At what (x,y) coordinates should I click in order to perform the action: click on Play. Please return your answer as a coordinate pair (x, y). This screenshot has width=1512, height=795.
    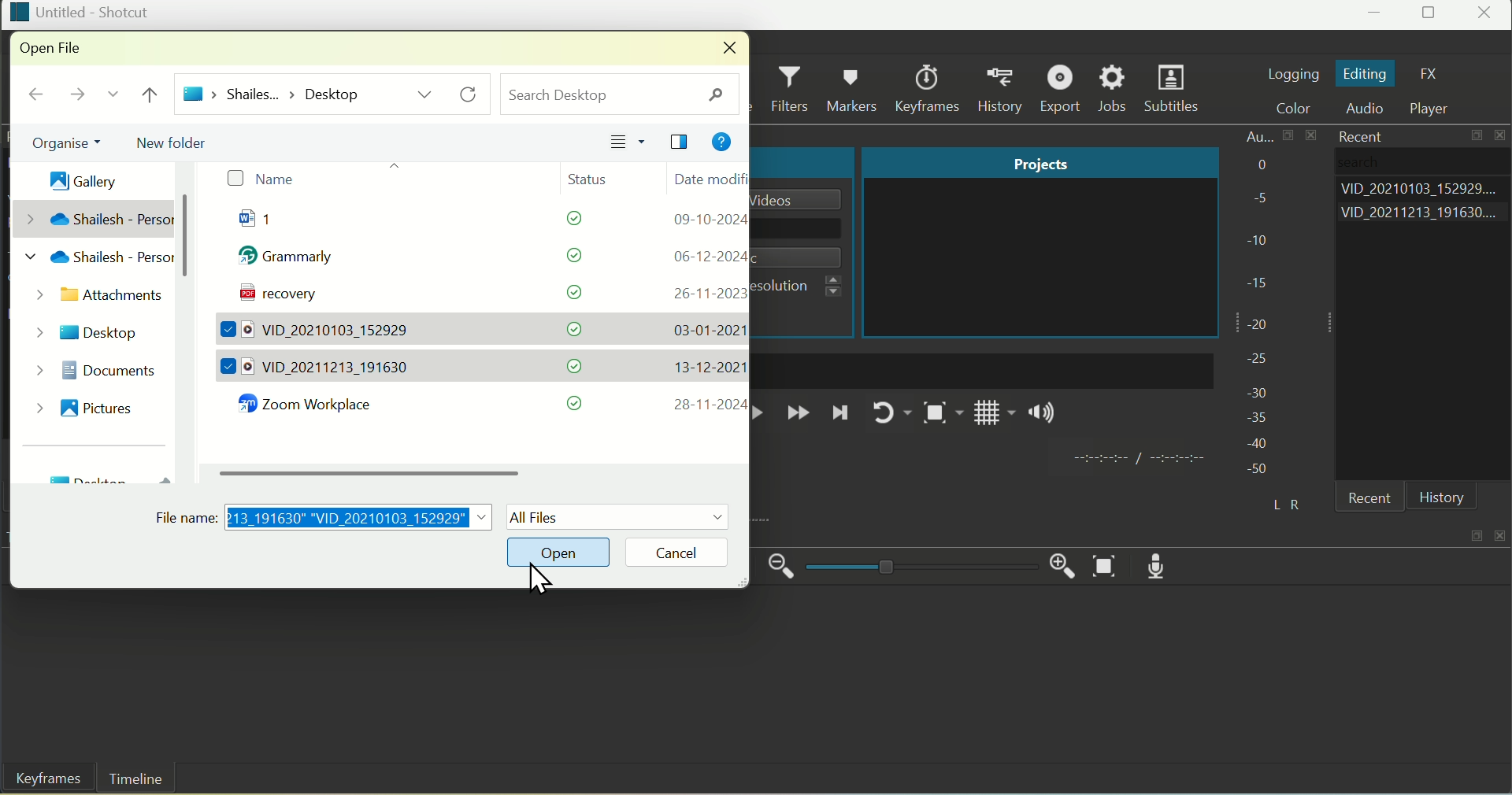
    Looking at the image, I should click on (763, 412).